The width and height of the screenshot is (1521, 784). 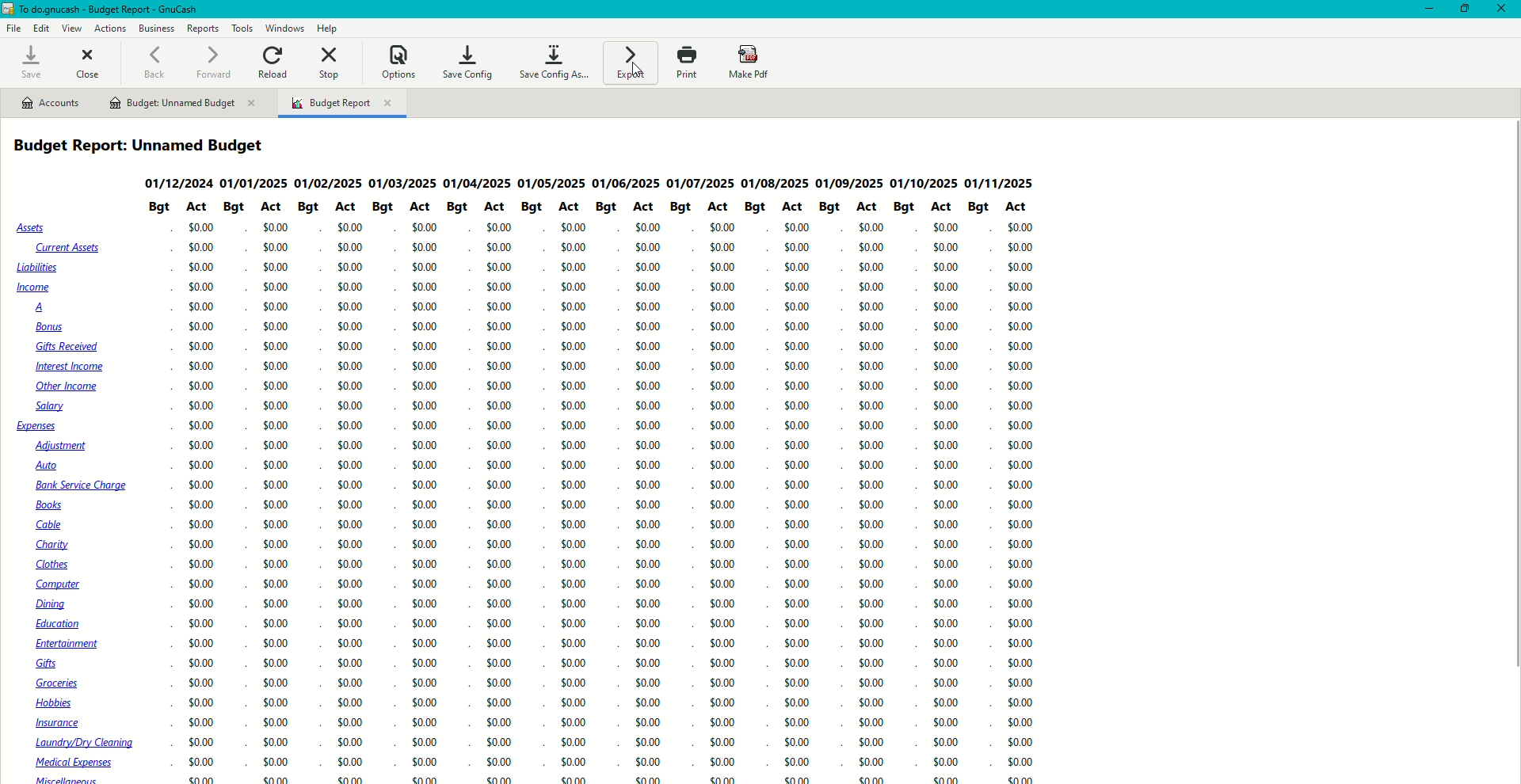 What do you see at coordinates (574, 622) in the screenshot?
I see `$0.00` at bounding box center [574, 622].